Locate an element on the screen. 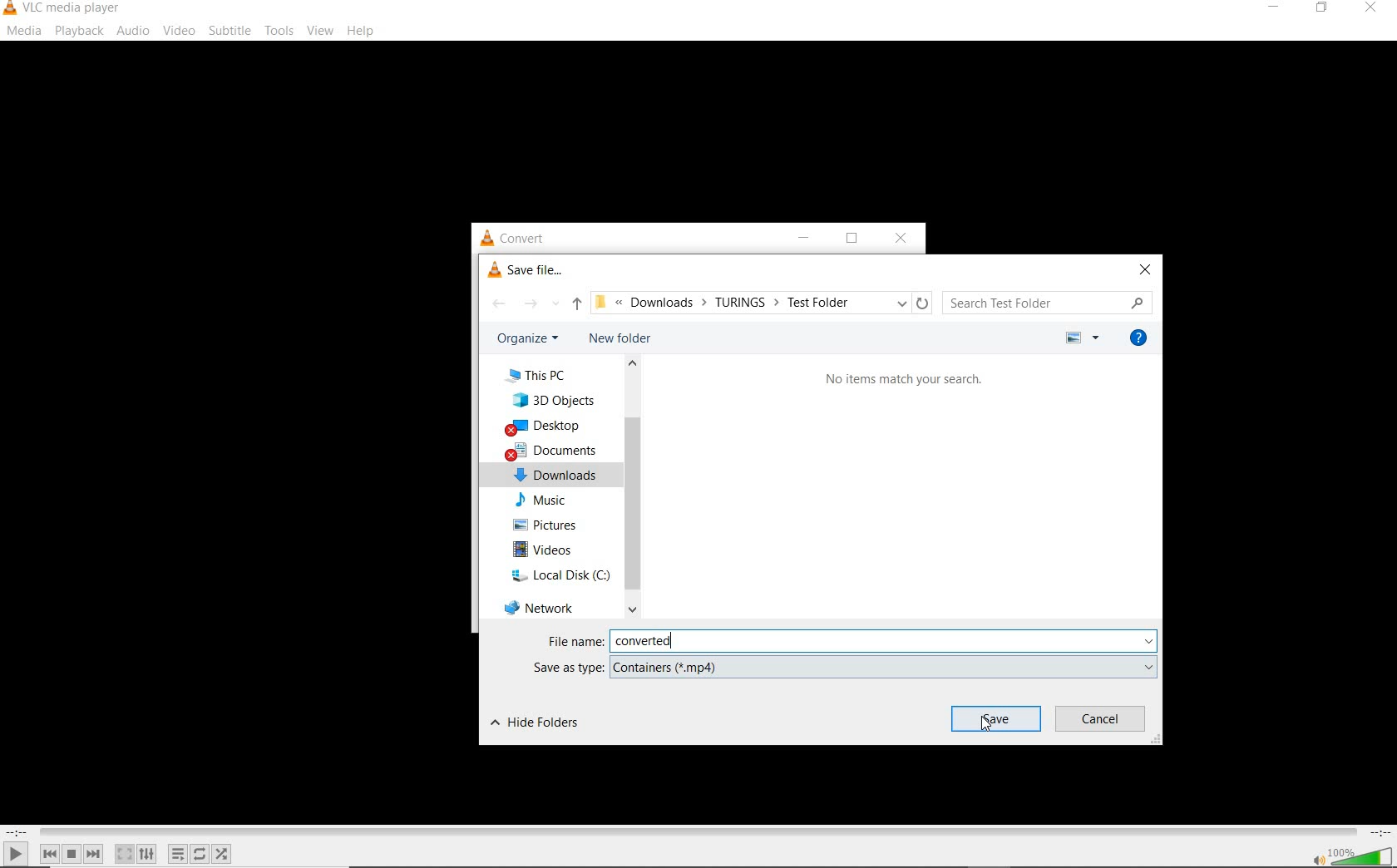 This screenshot has width=1397, height=868. no items match your search is located at coordinates (904, 378).